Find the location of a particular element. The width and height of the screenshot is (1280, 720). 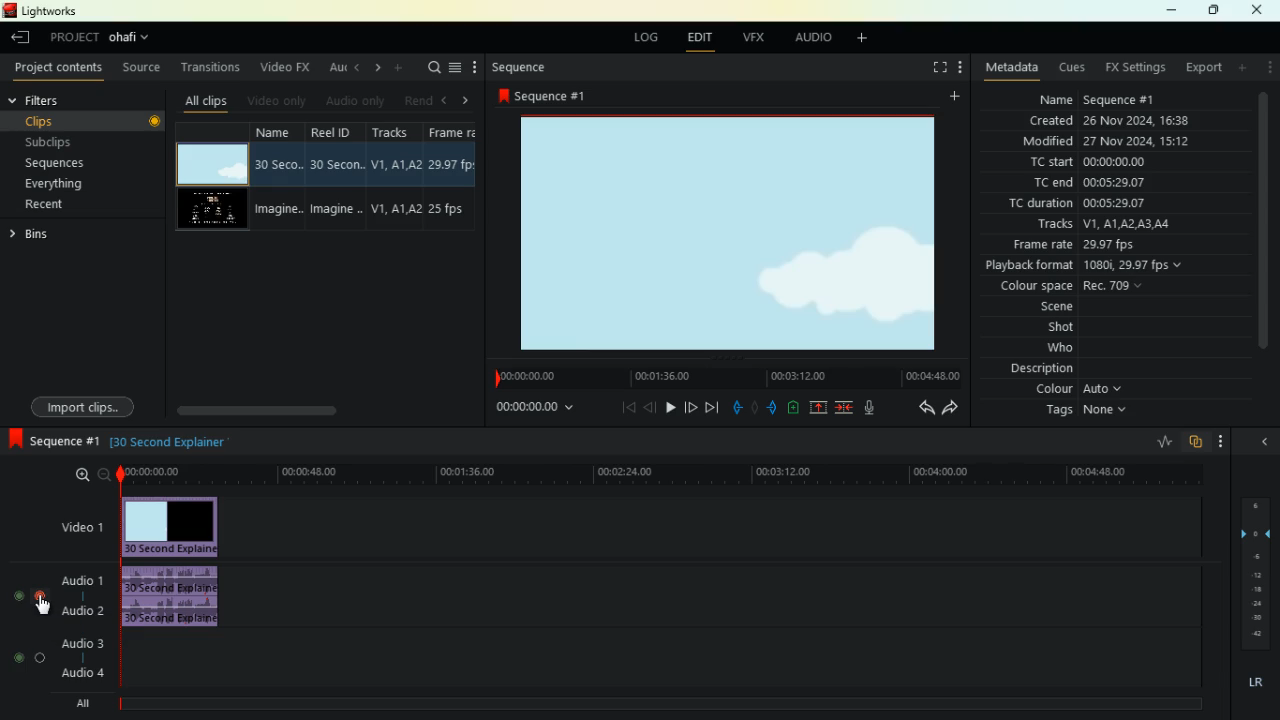

filters is located at coordinates (55, 98).